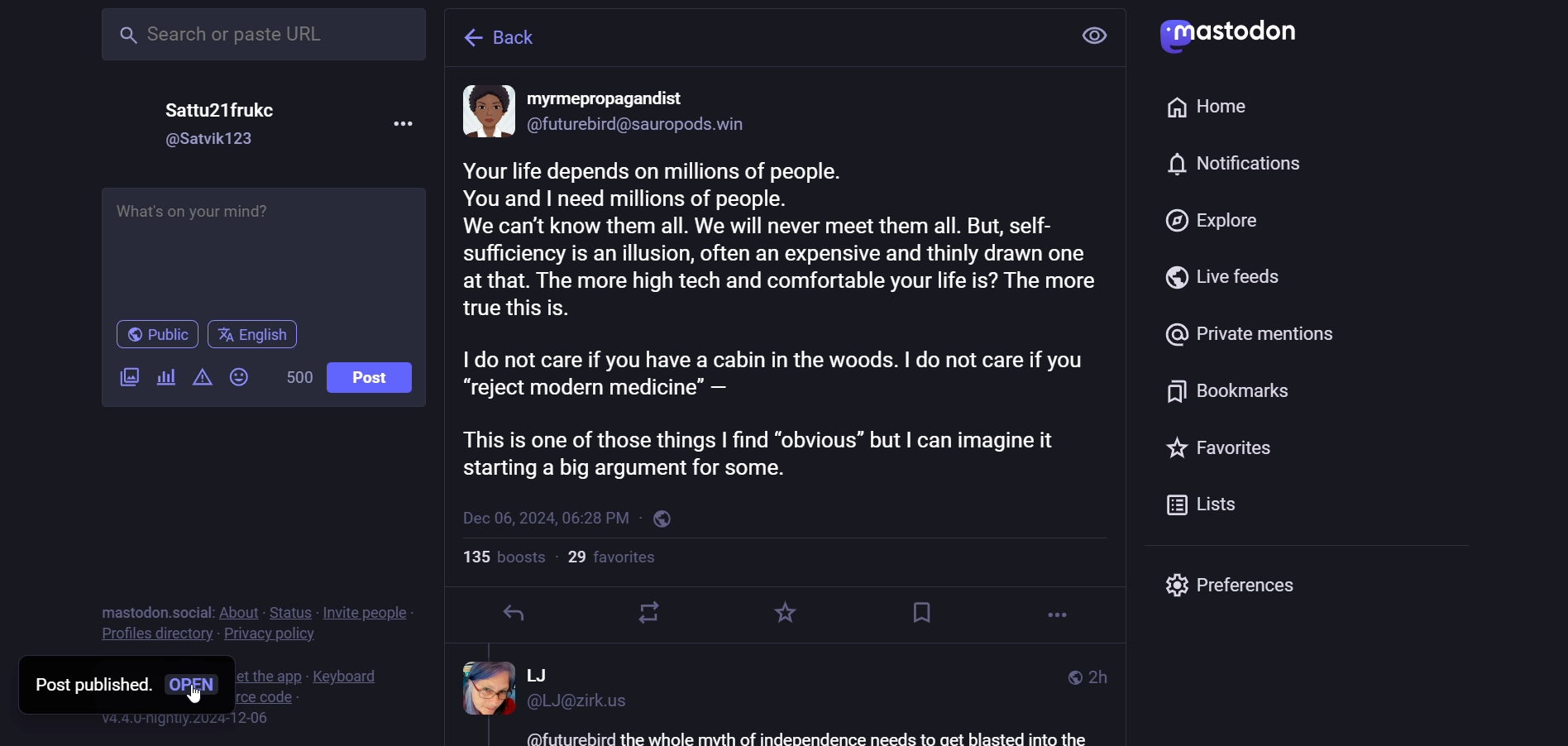 The image size is (1568, 746). What do you see at coordinates (349, 676) in the screenshot?
I see `keyboard` at bounding box center [349, 676].